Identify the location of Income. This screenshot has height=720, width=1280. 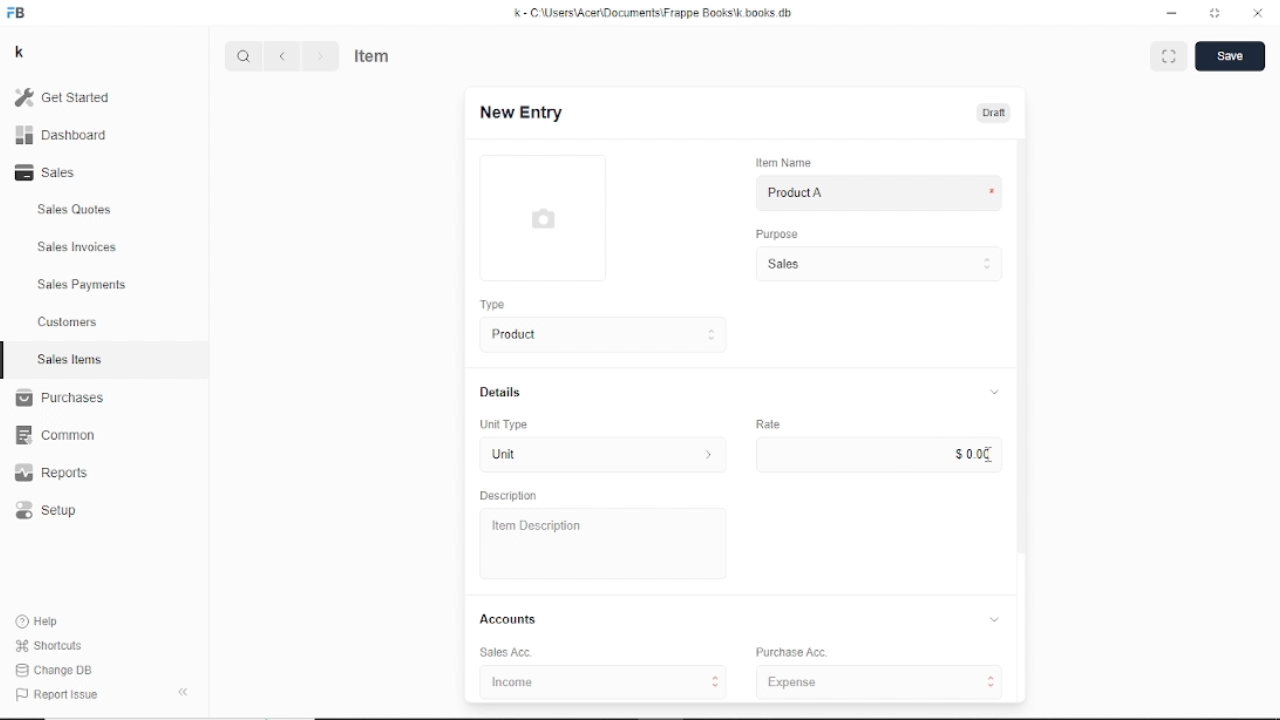
(601, 681).